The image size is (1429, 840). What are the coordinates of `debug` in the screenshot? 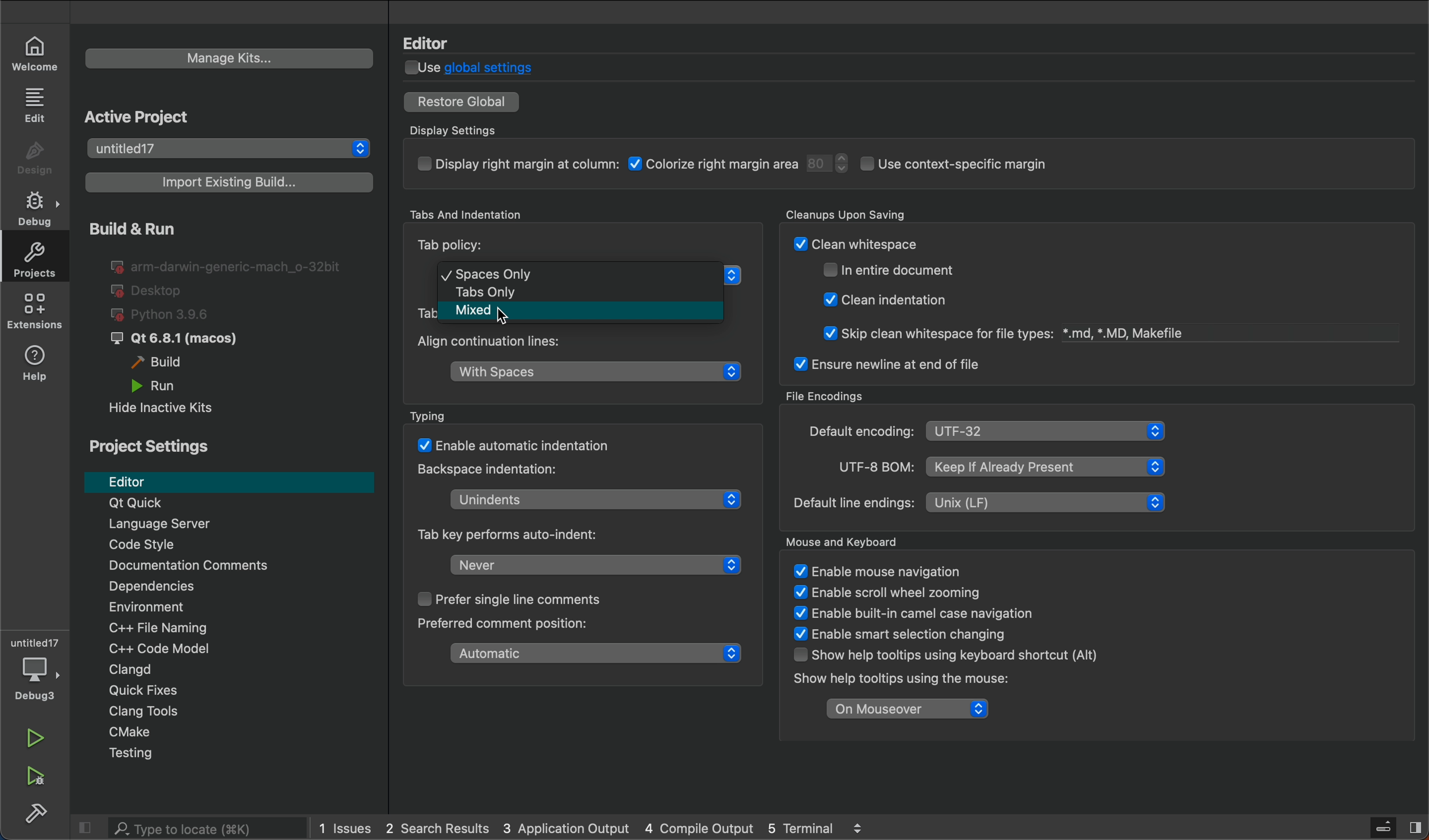 It's located at (40, 207).